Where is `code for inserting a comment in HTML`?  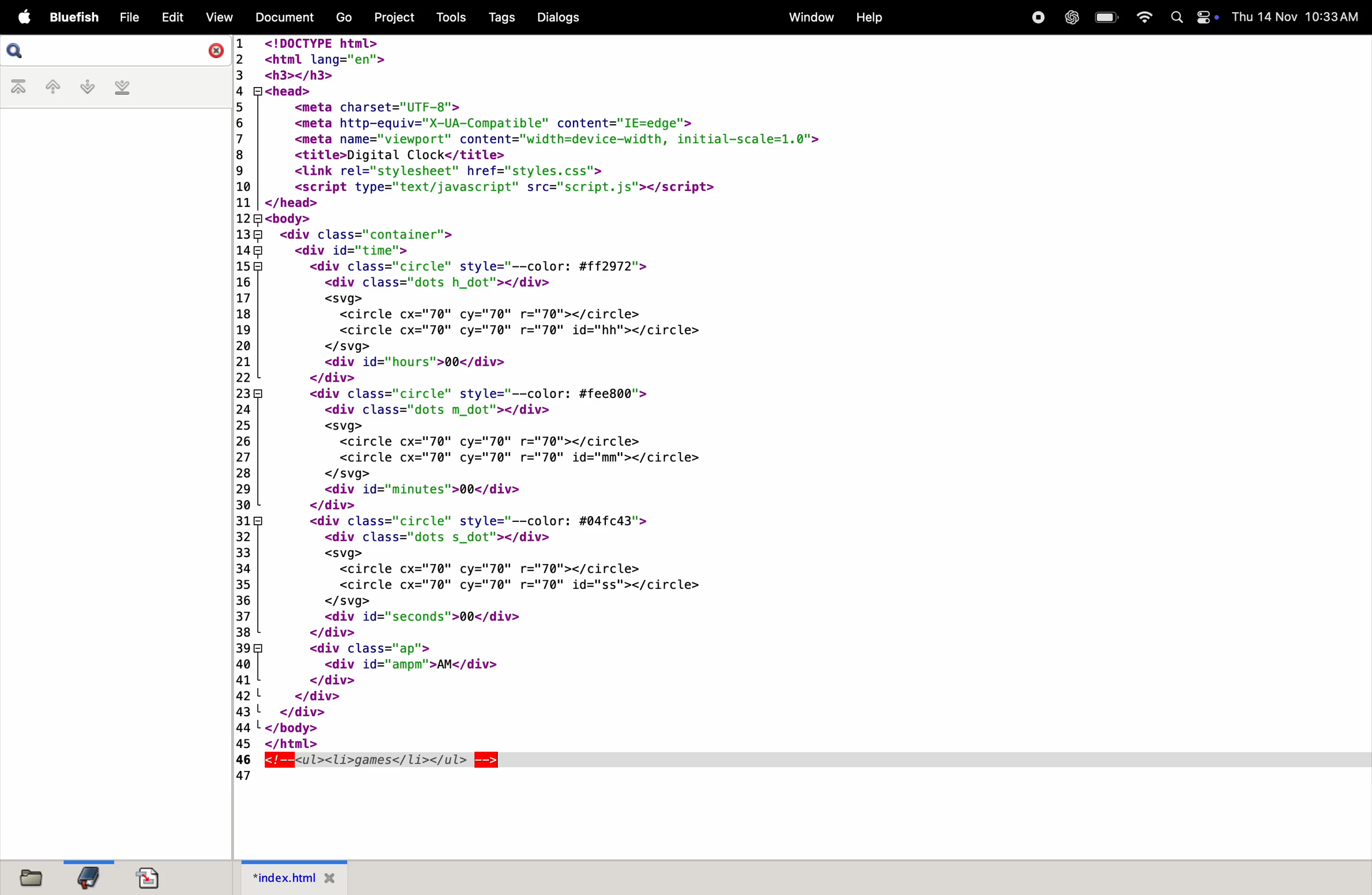
code for inserting a comment in HTML is located at coordinates (661, 413).